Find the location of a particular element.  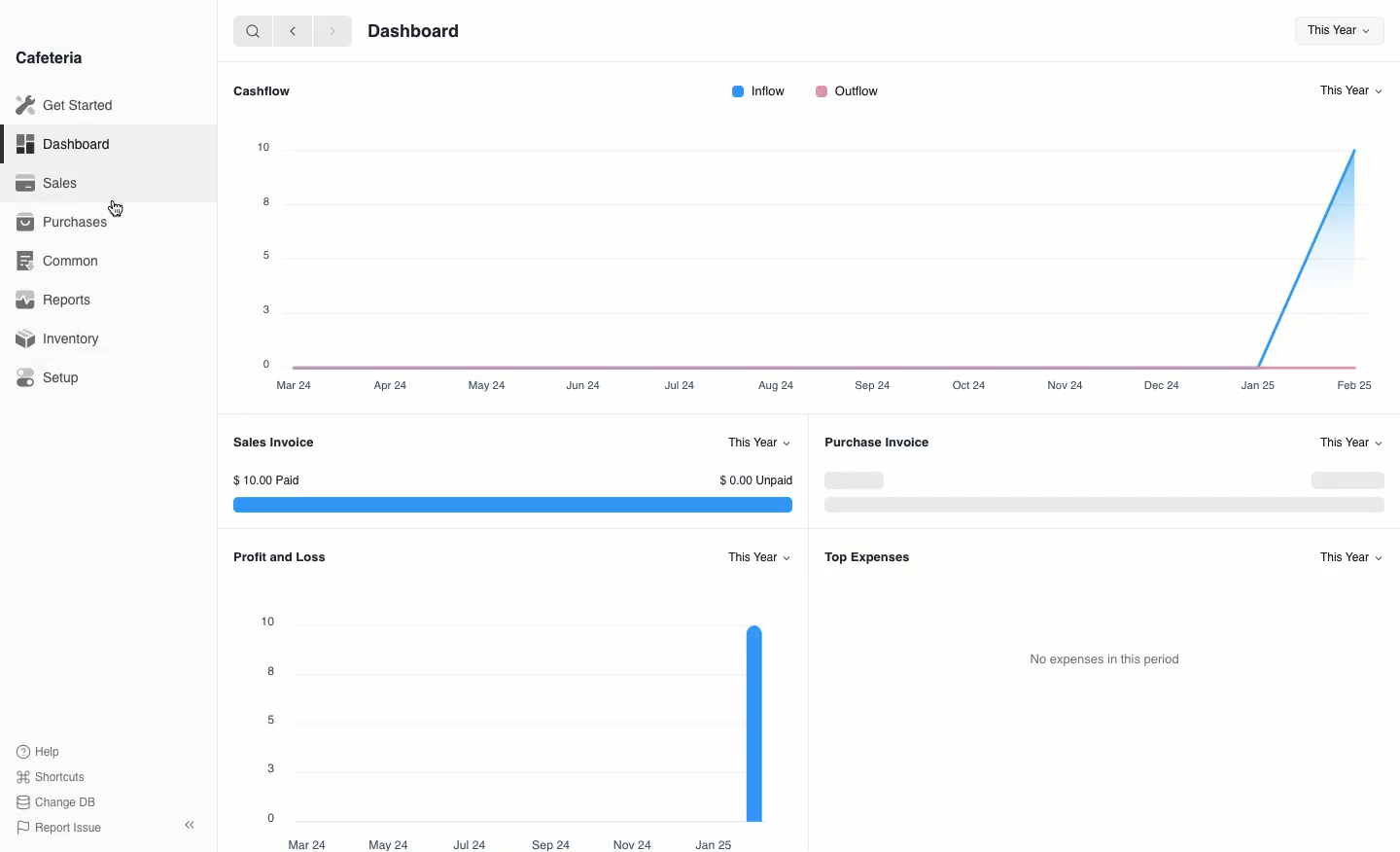

Graph is located at coordinates (545, 710).